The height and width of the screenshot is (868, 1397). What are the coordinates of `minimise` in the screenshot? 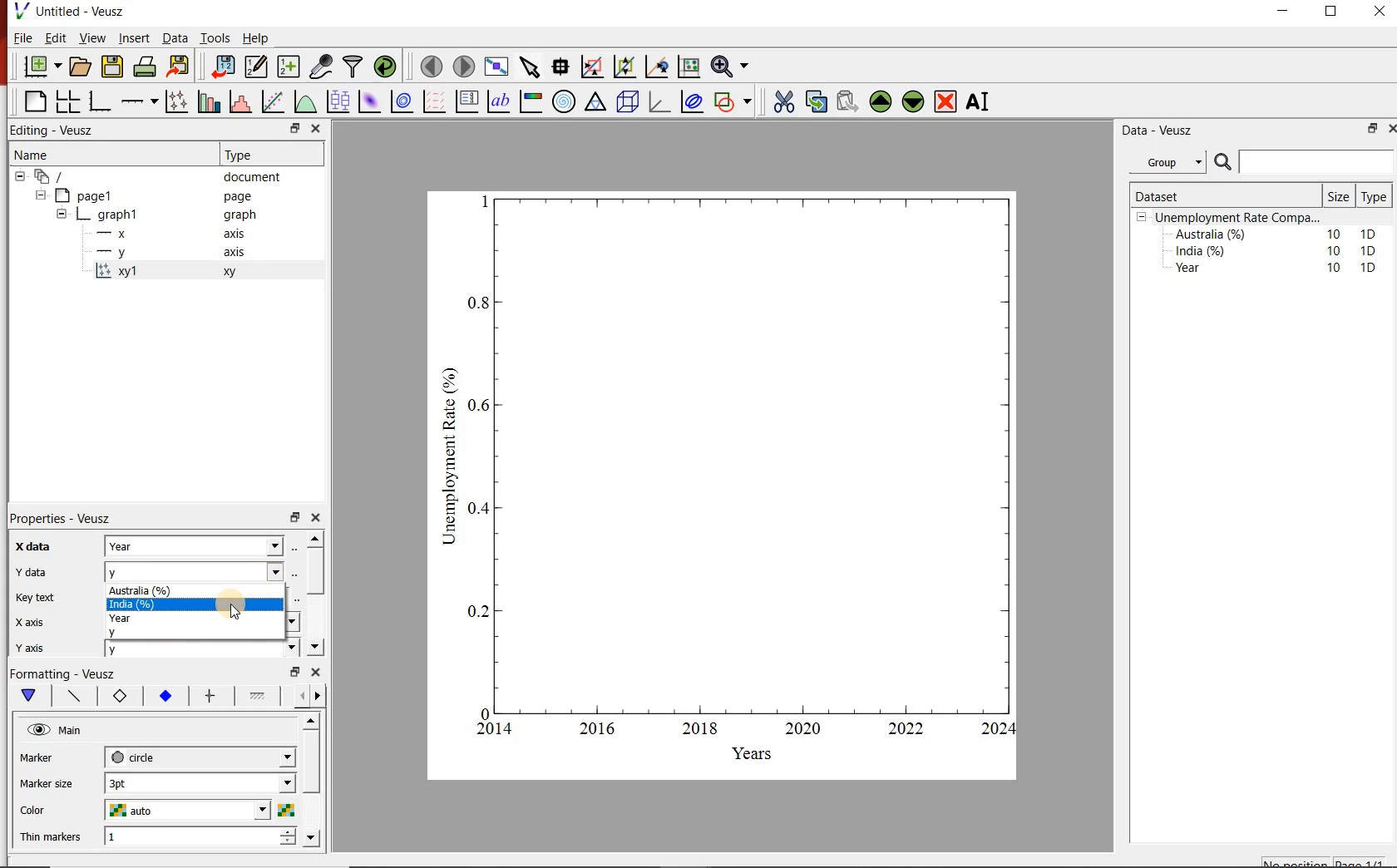 It's located at (294, 516).